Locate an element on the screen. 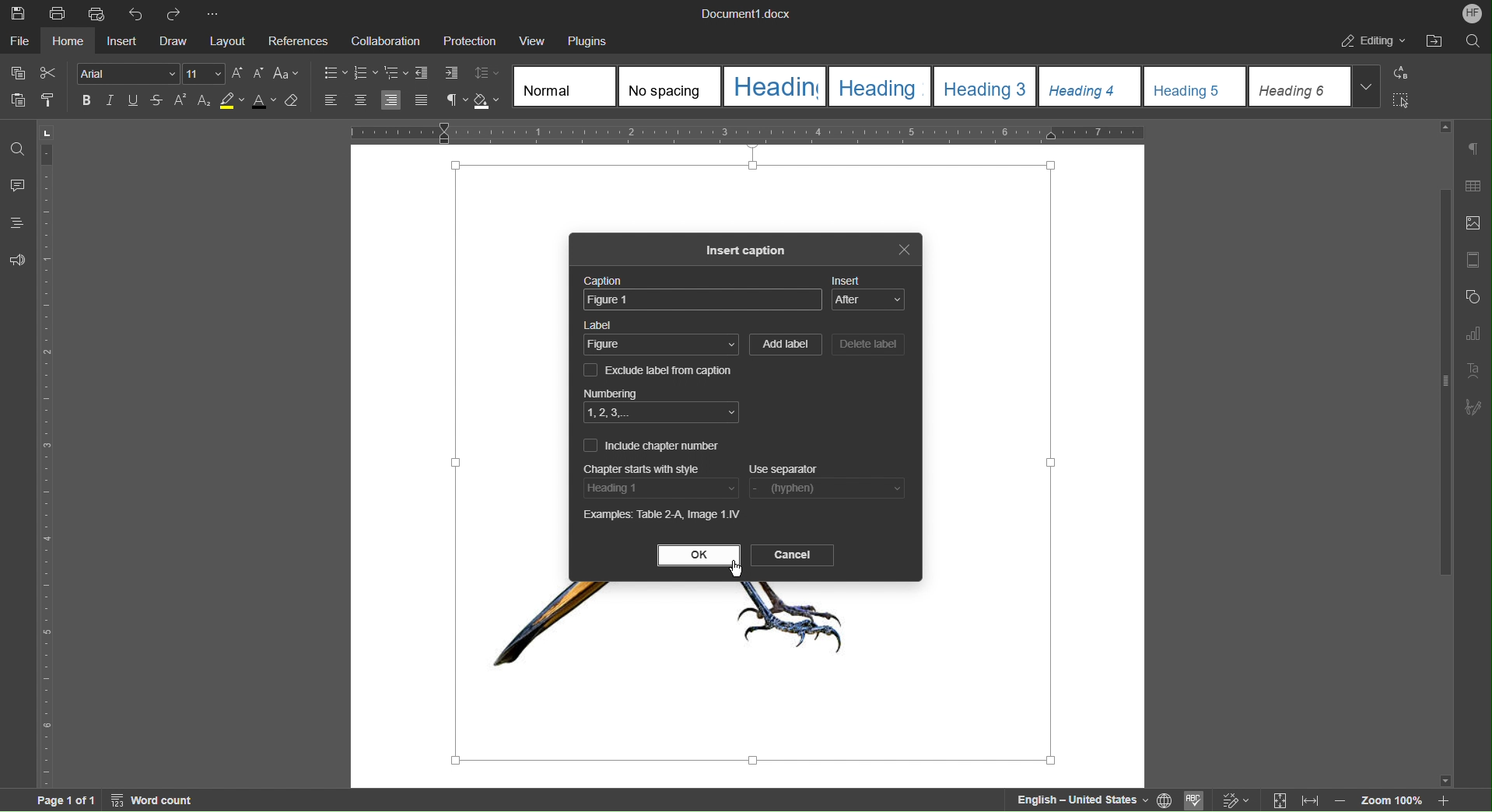 Image resolution: width=1492 pixels, height=812 pixels. Graphs is located at coordinates (1472, 334).